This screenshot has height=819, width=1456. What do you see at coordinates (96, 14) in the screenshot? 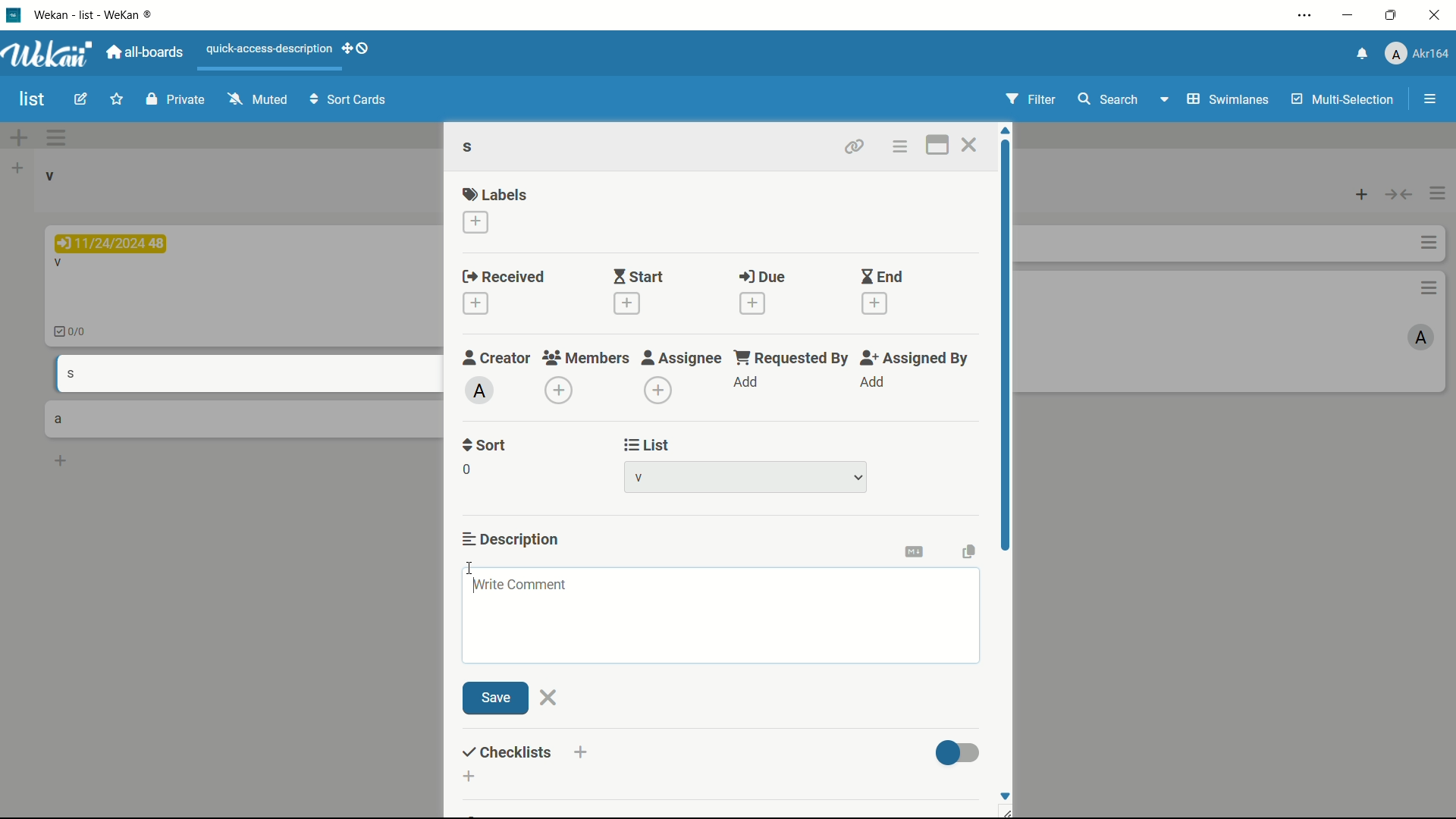
I see `Wekan - WeKan ®` at bounding box center [96, 14].